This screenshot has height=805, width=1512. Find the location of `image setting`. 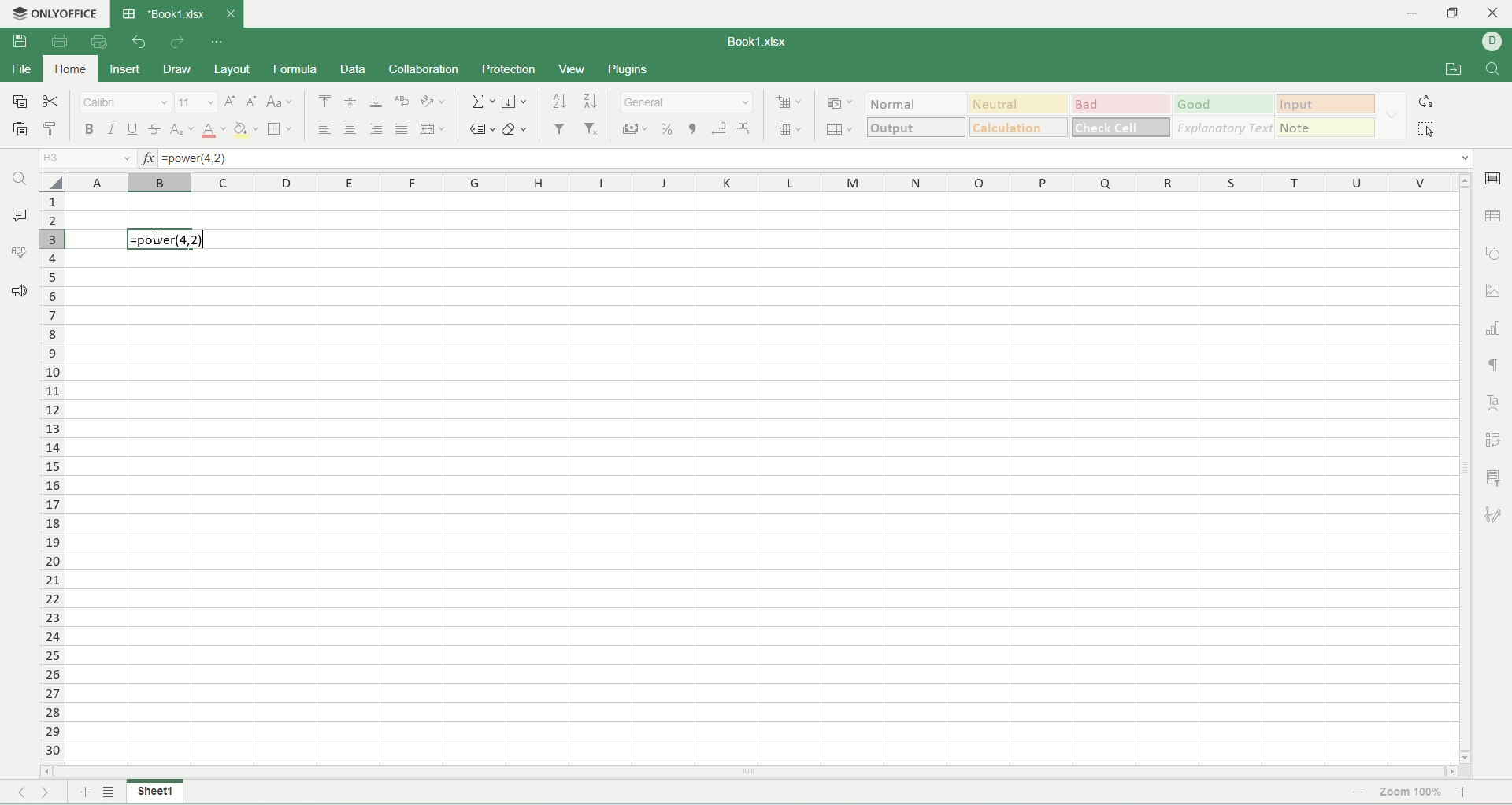

image setting is located at coordinates (1495, 288).